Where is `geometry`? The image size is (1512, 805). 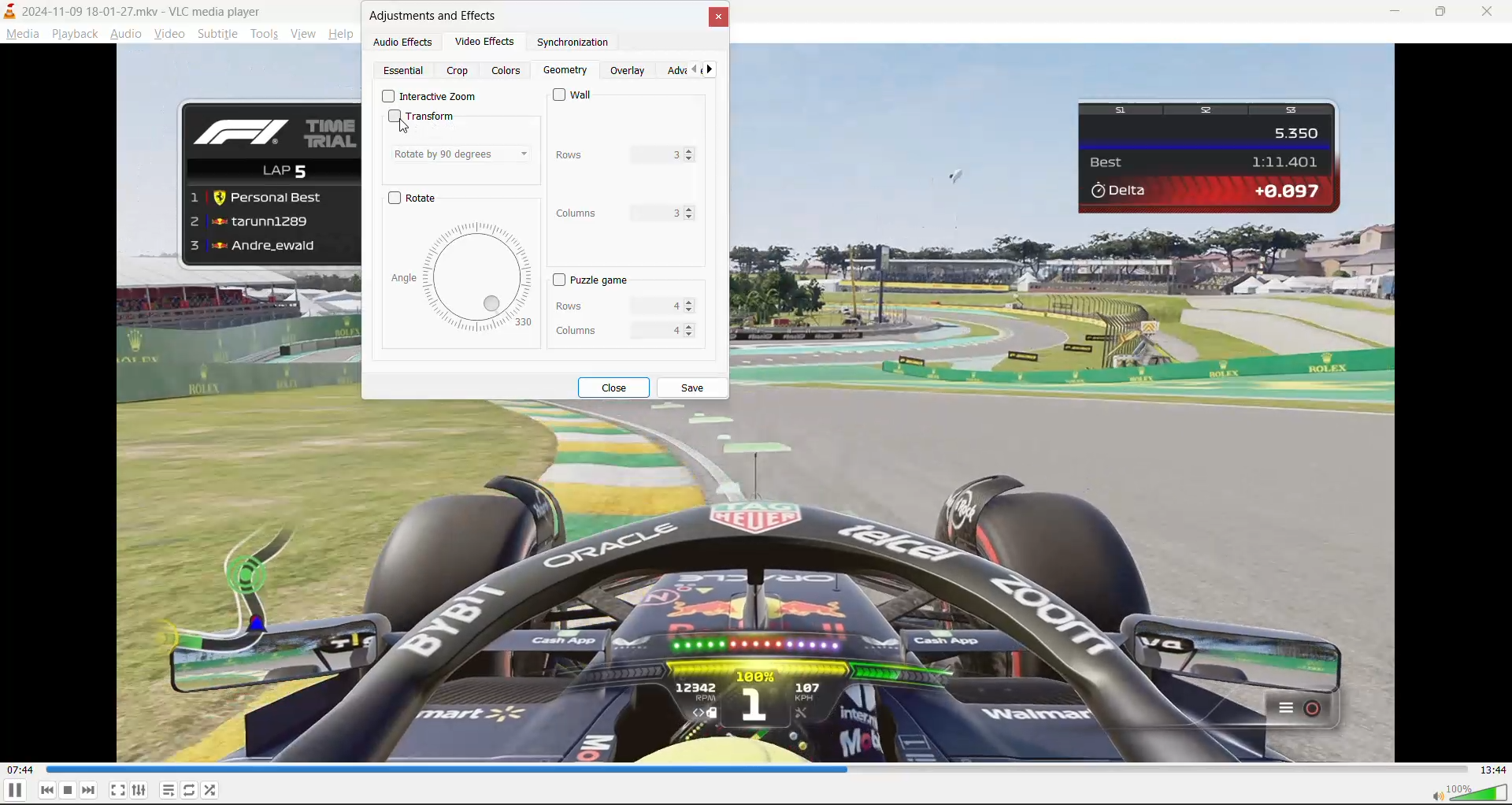
geometry is located at coordinates (569, 71).